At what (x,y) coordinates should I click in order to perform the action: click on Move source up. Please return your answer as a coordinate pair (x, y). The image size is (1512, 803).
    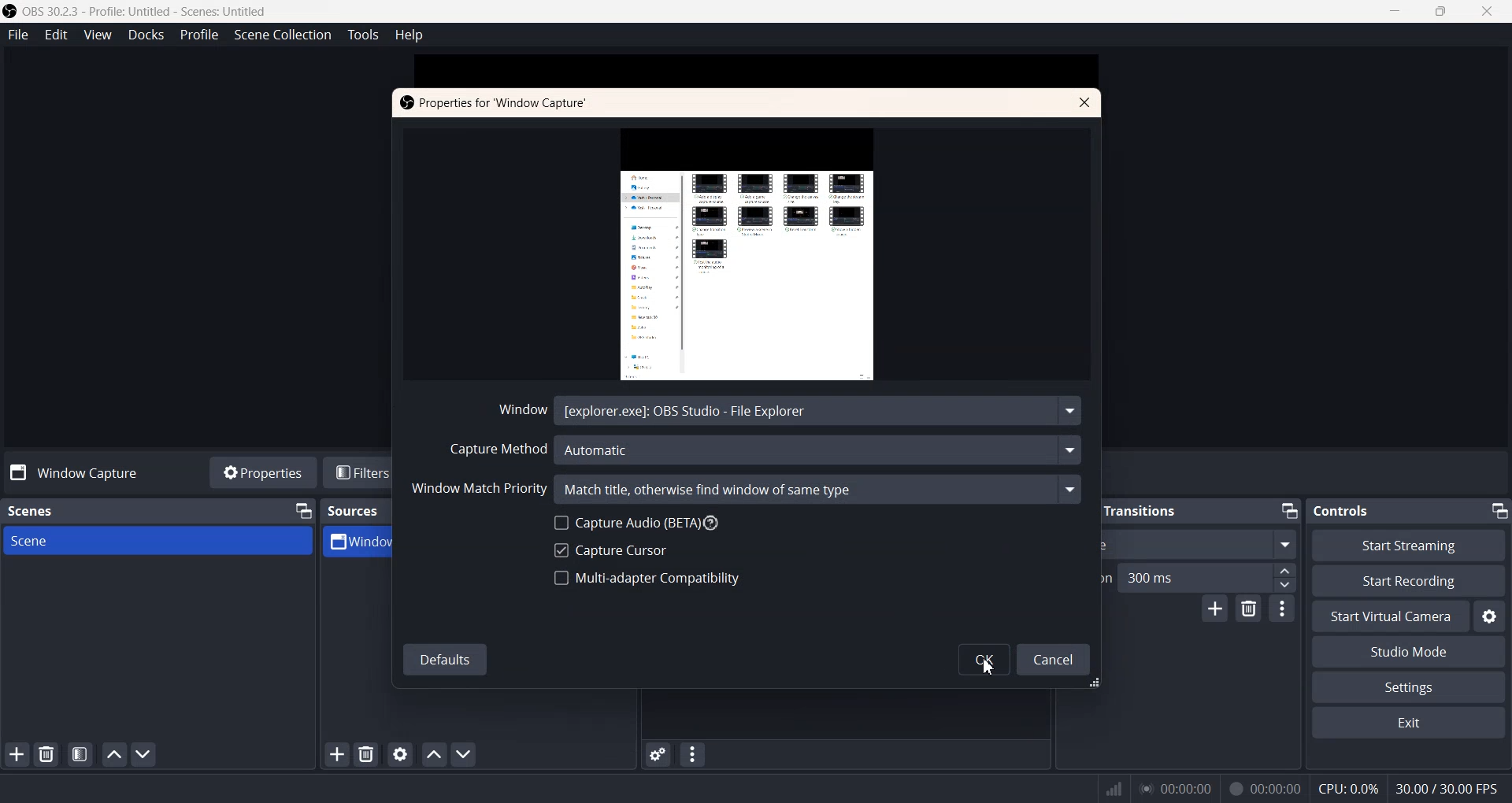
    Looking at the image, I should click on (434, 754).